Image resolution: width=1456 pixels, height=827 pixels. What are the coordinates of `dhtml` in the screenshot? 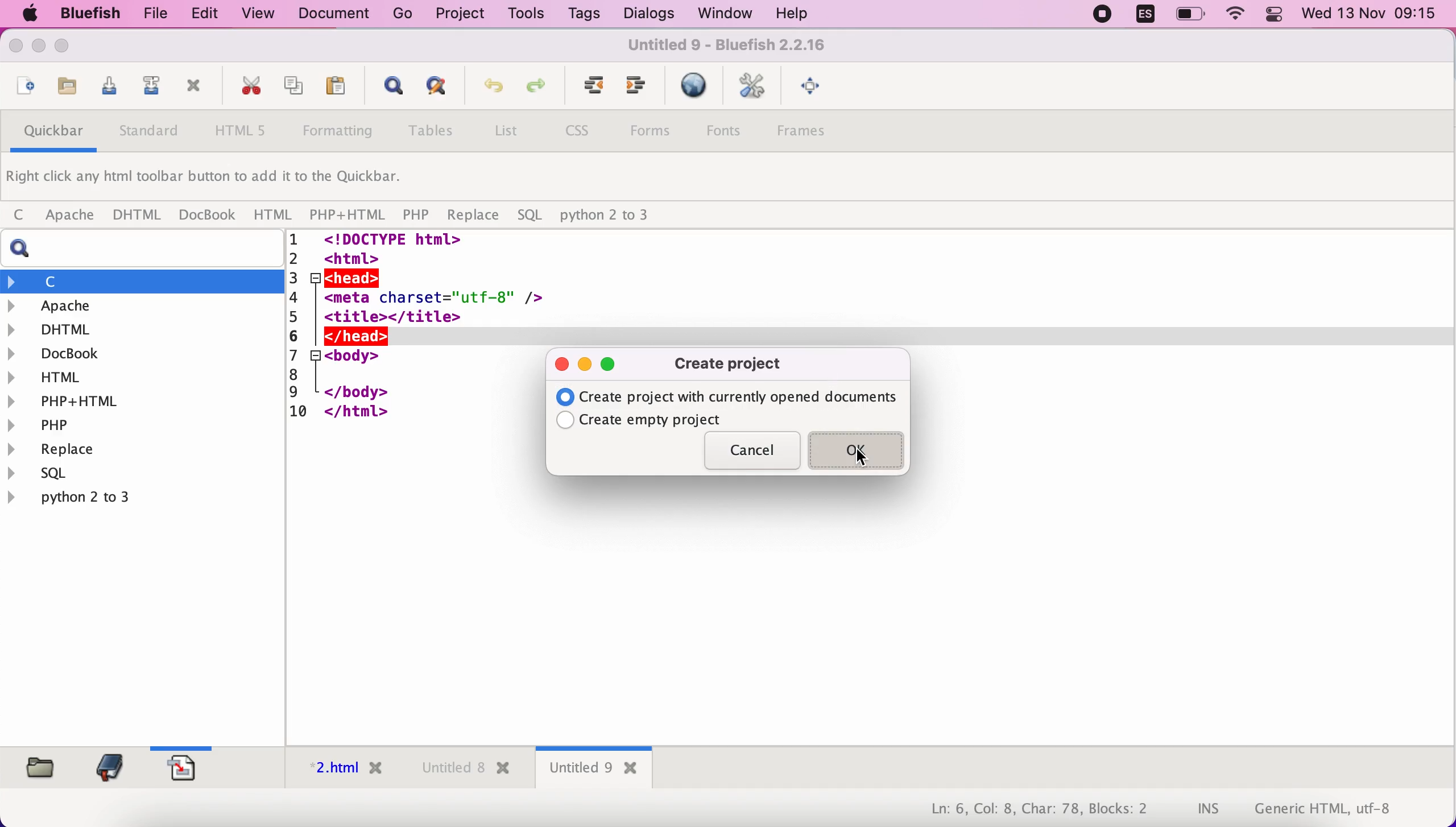 It's located at (138, 216).